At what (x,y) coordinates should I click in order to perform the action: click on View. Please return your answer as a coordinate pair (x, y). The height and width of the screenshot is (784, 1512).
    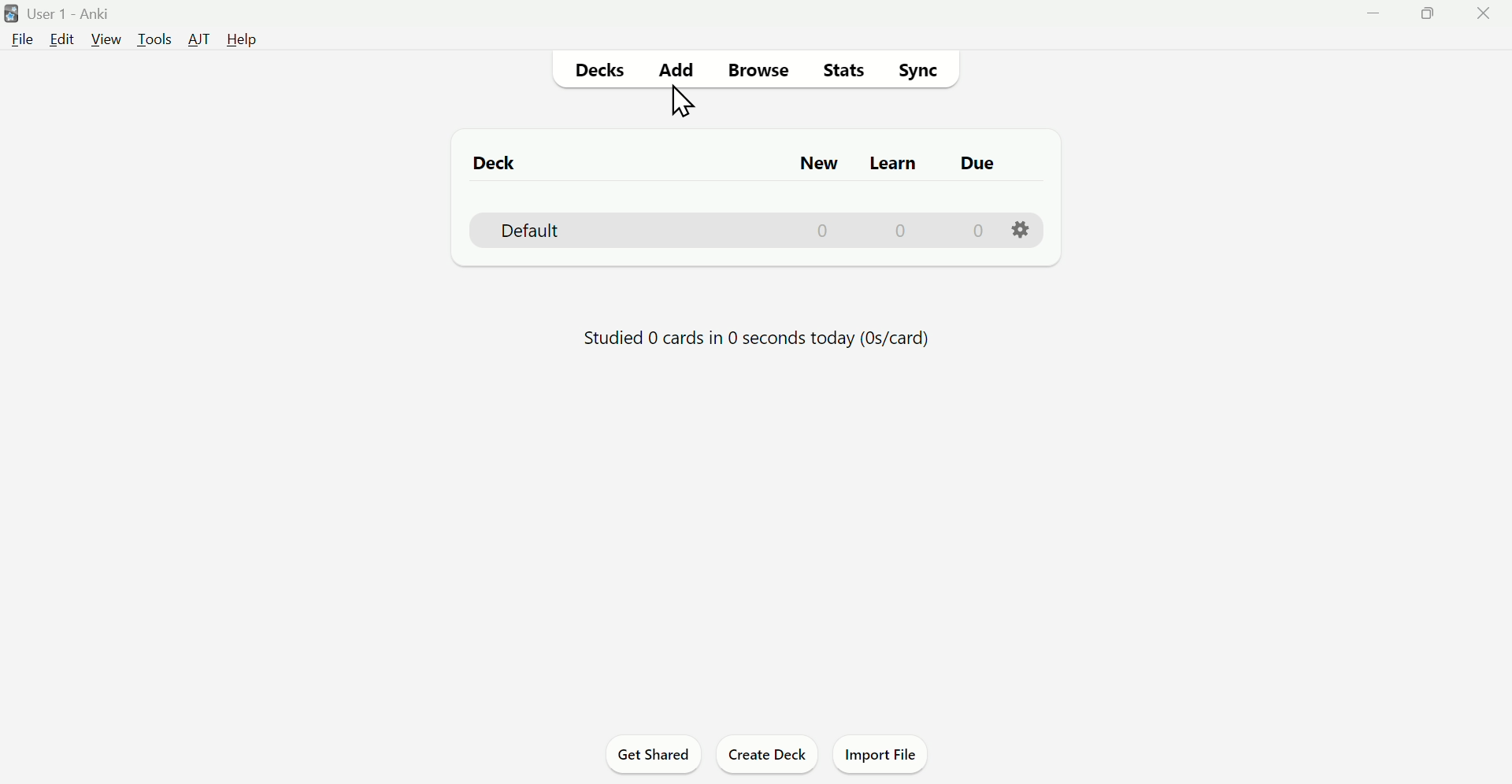
    Looking at the image, I should click on (104, 40).